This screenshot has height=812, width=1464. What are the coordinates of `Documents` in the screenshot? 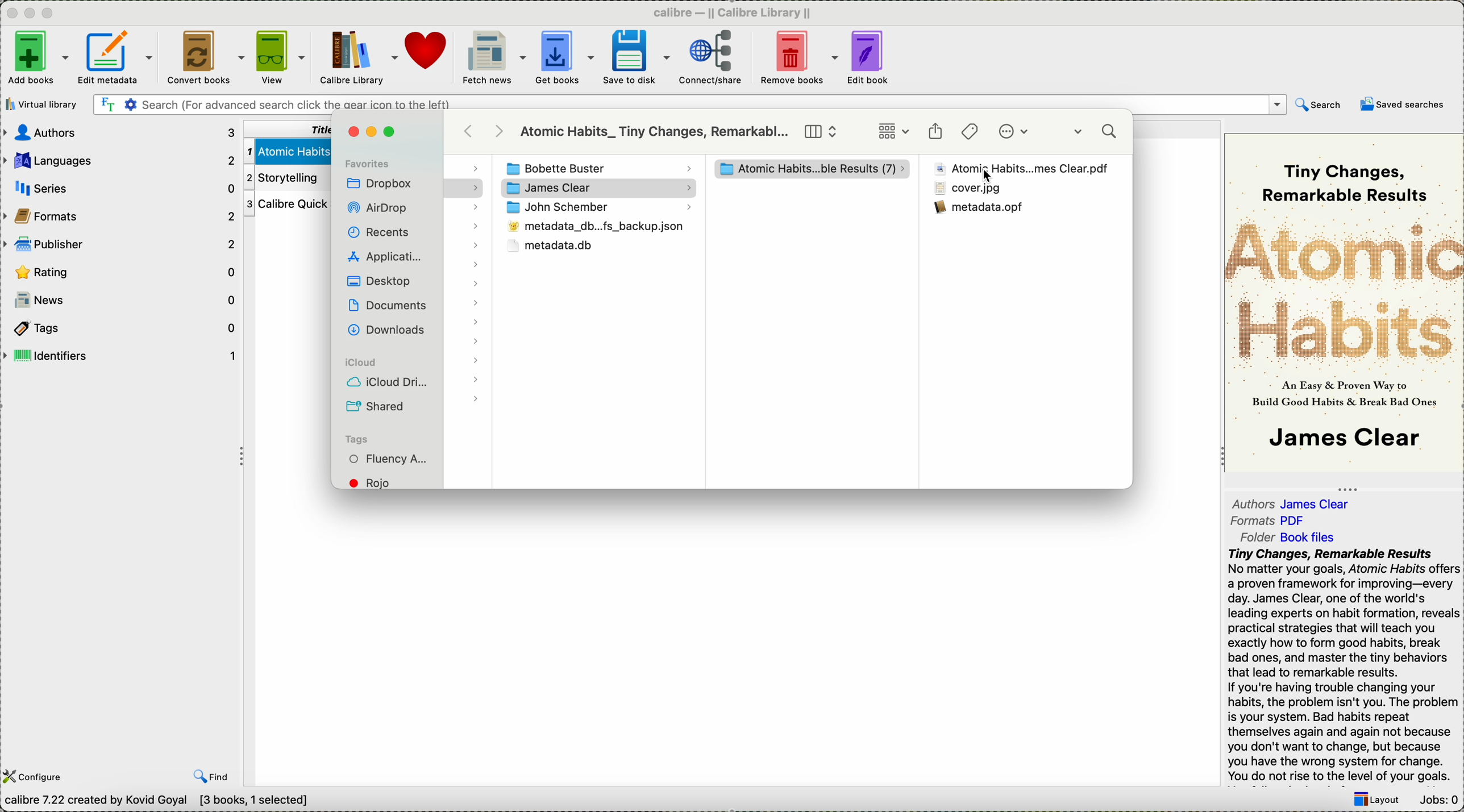 It's located at (388, 305).